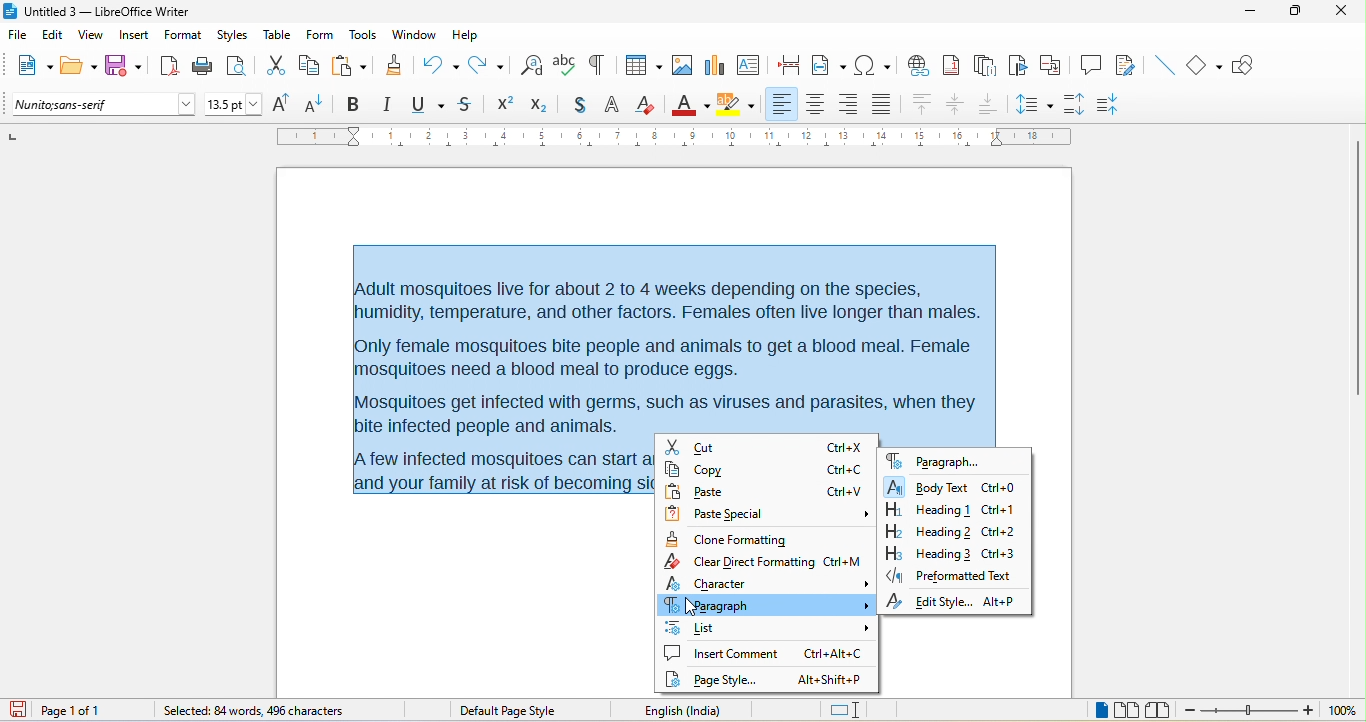 The height and width of the screenshot is (722, 1366). What do you see at coordinates (734, 539) in the screenshot?
I see `clone formatting` at bounding box center [734, 539].